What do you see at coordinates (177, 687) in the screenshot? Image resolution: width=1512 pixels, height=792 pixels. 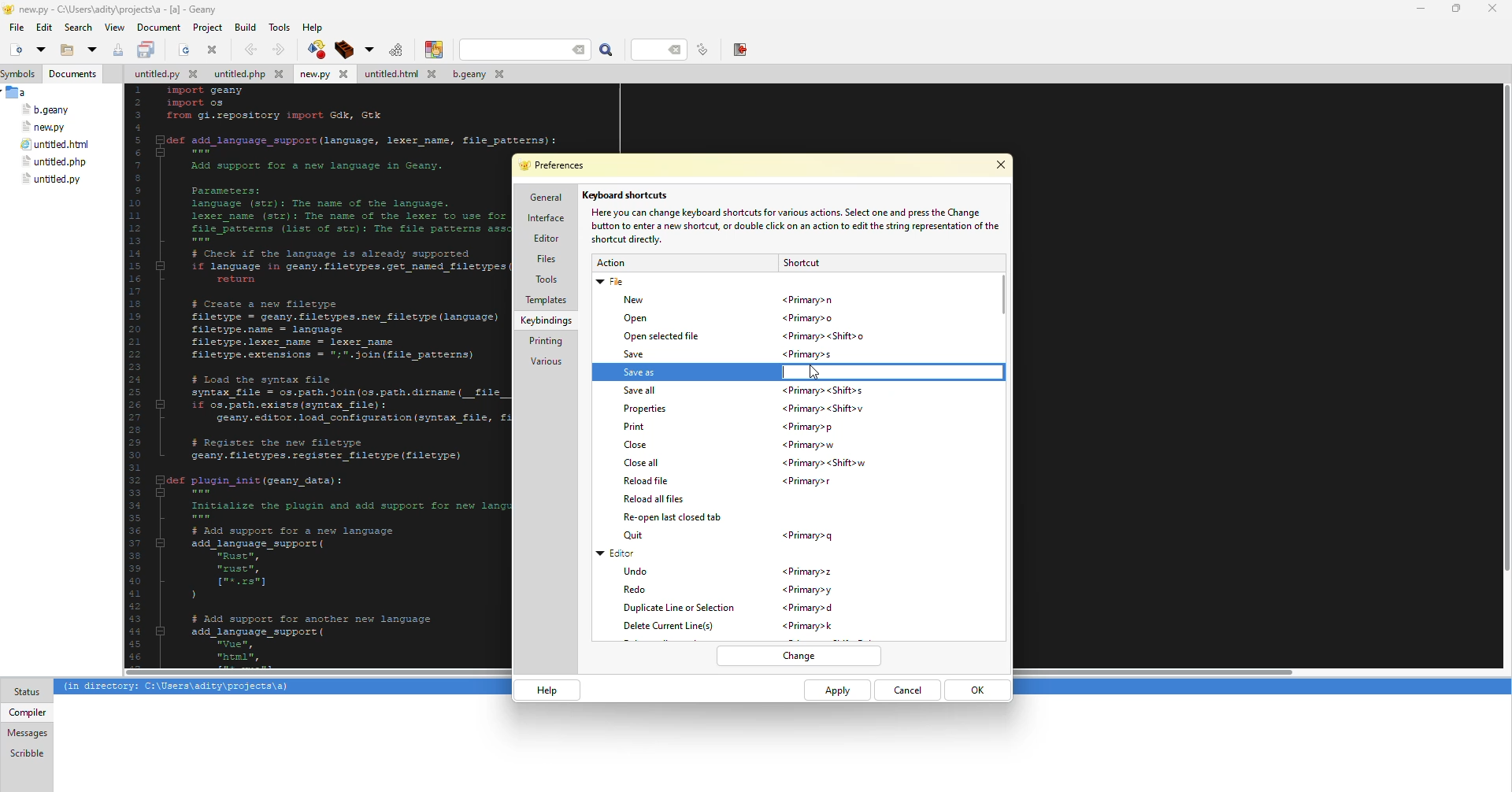 I see `info` at bounding box center [177, 687].